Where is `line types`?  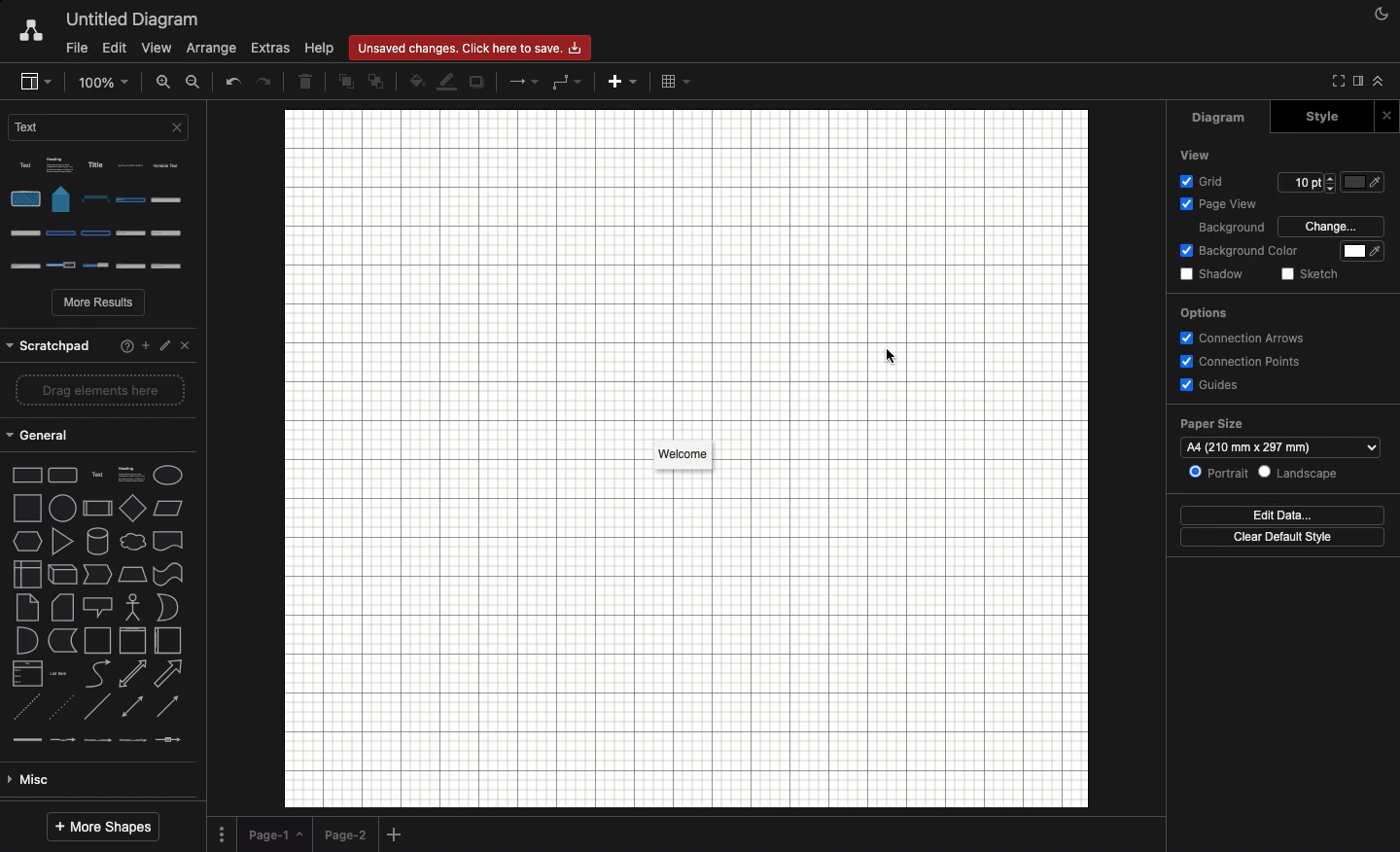 line types is located at coordinates (104, 578).